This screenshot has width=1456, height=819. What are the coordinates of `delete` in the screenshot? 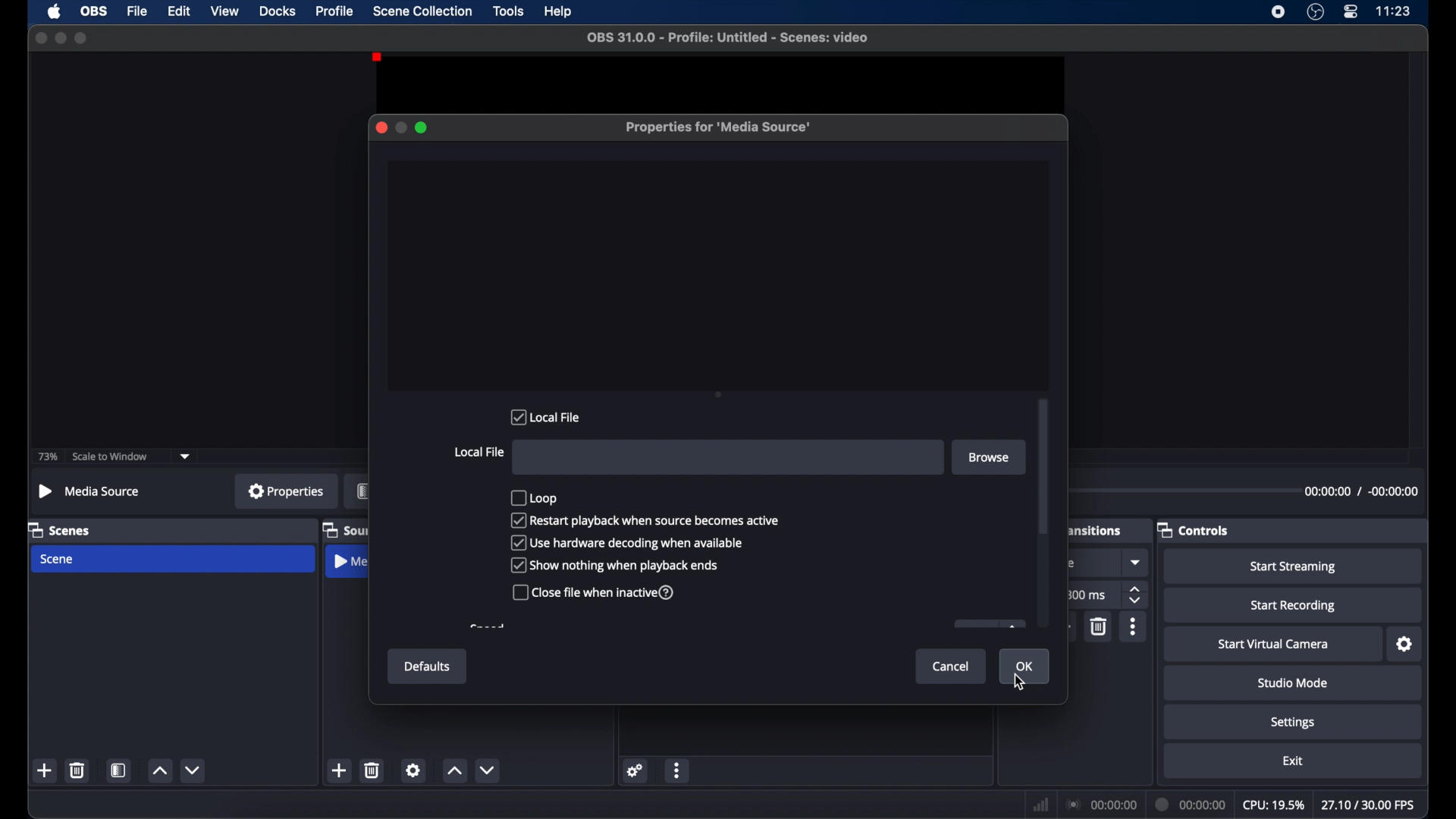 It's located at (1098, 626).